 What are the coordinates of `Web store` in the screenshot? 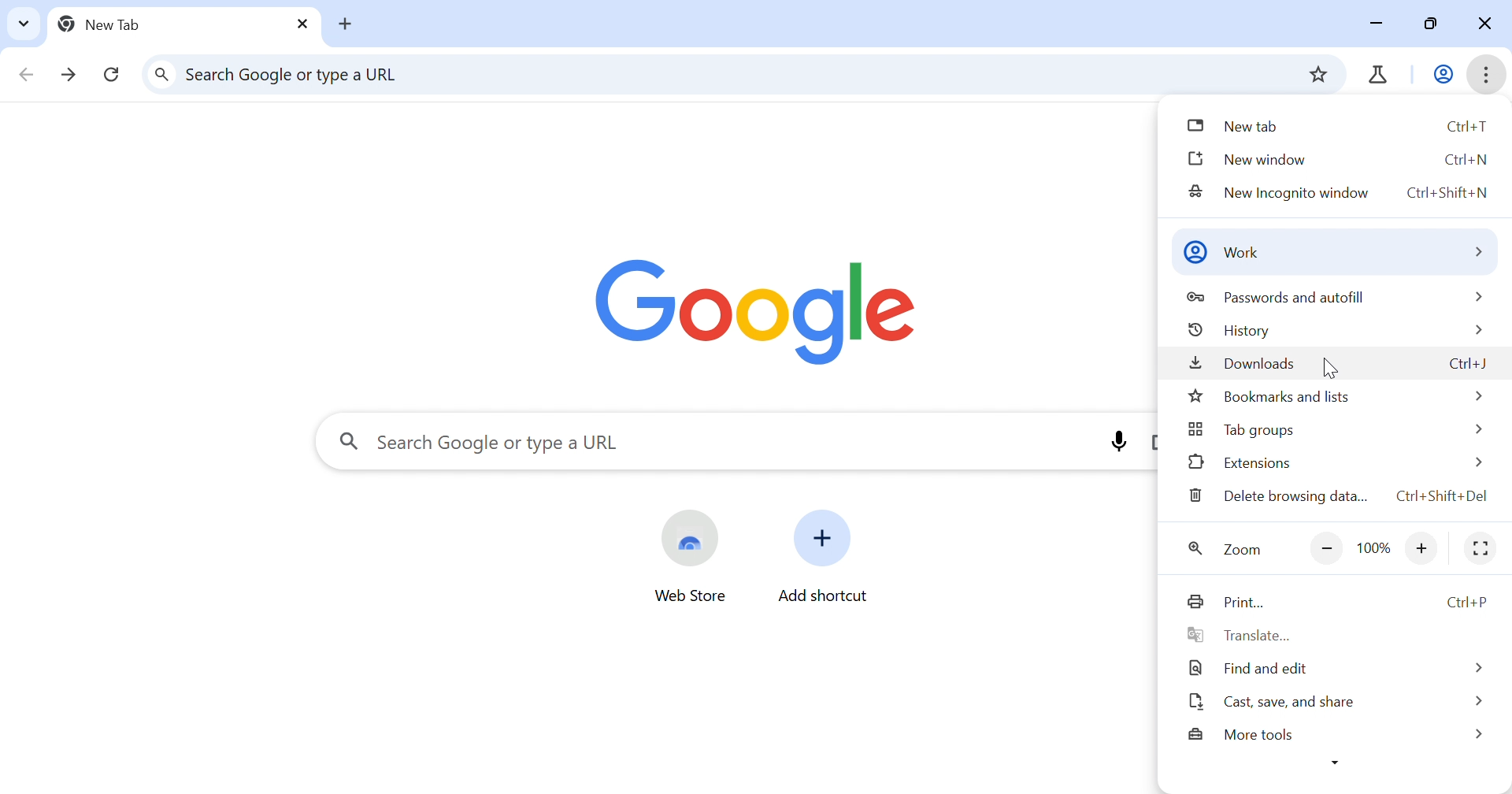 It's located at (691, 539).